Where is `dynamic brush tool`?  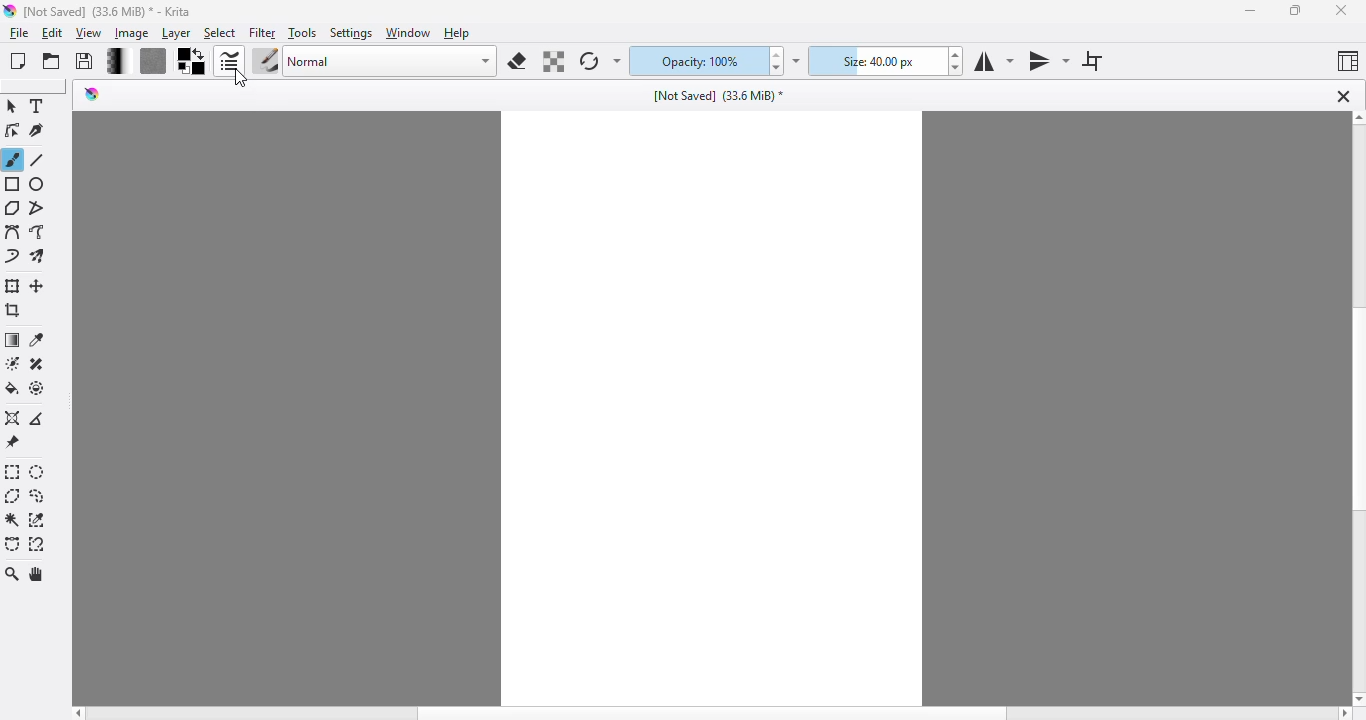 dynamic brush tool is located at coordinates (12, 258).